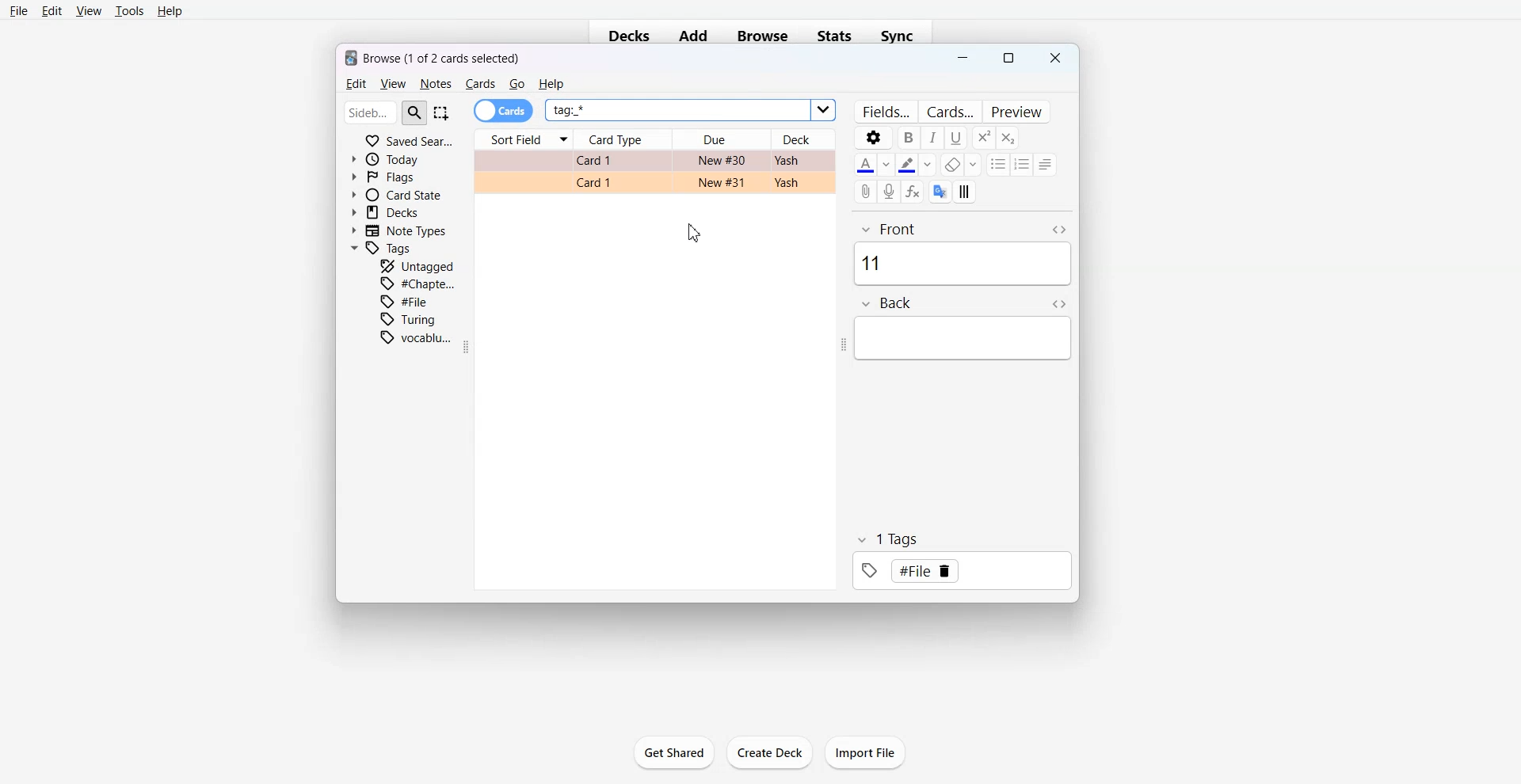 The height and width of the screenshot is (784, 1521). What do you see at coordinates (917, 165) in the screenshot?
I see `Highlight Text color` at bounding box center [917, 165].